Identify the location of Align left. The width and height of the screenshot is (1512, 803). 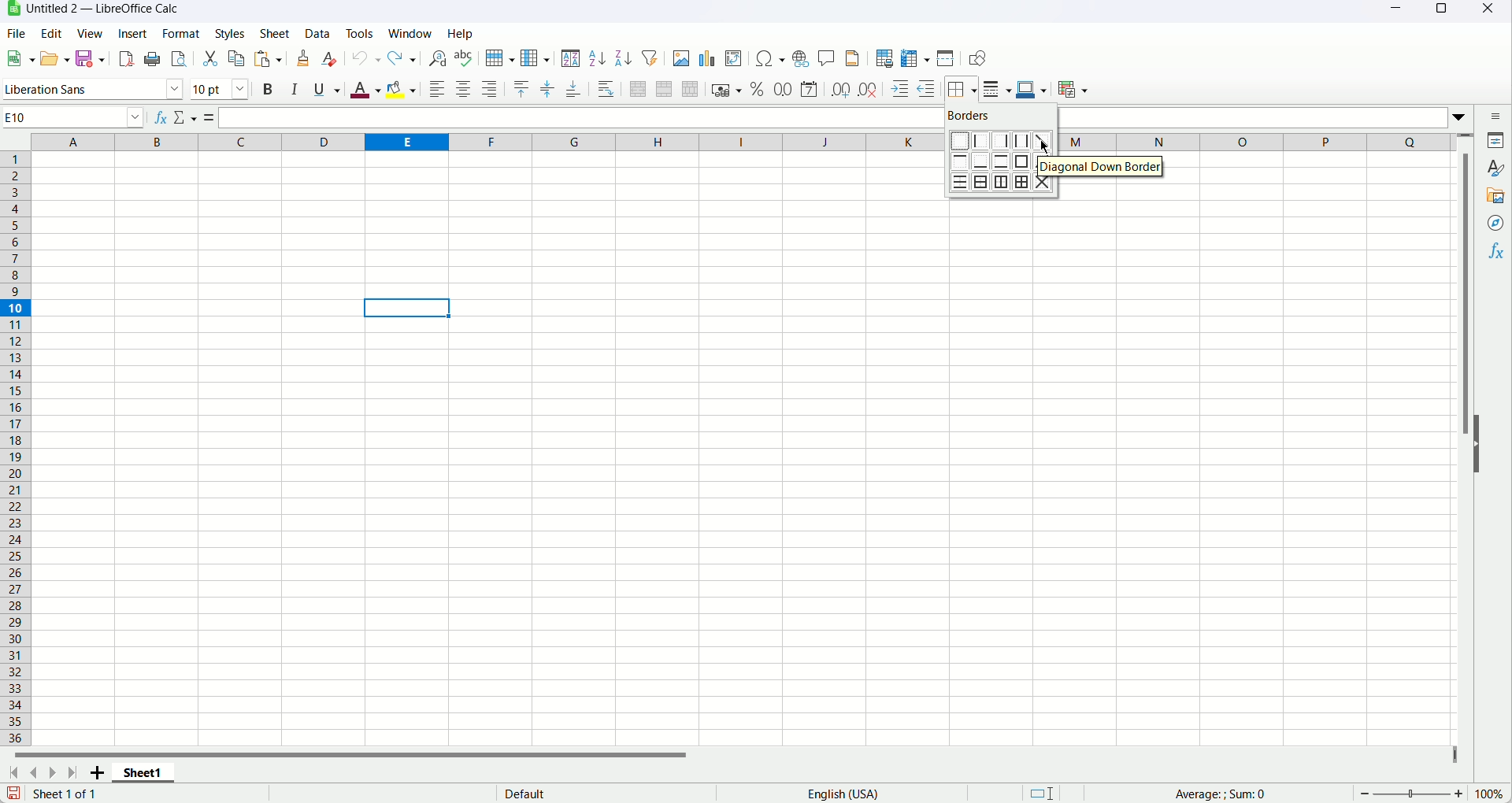
(436, 90).